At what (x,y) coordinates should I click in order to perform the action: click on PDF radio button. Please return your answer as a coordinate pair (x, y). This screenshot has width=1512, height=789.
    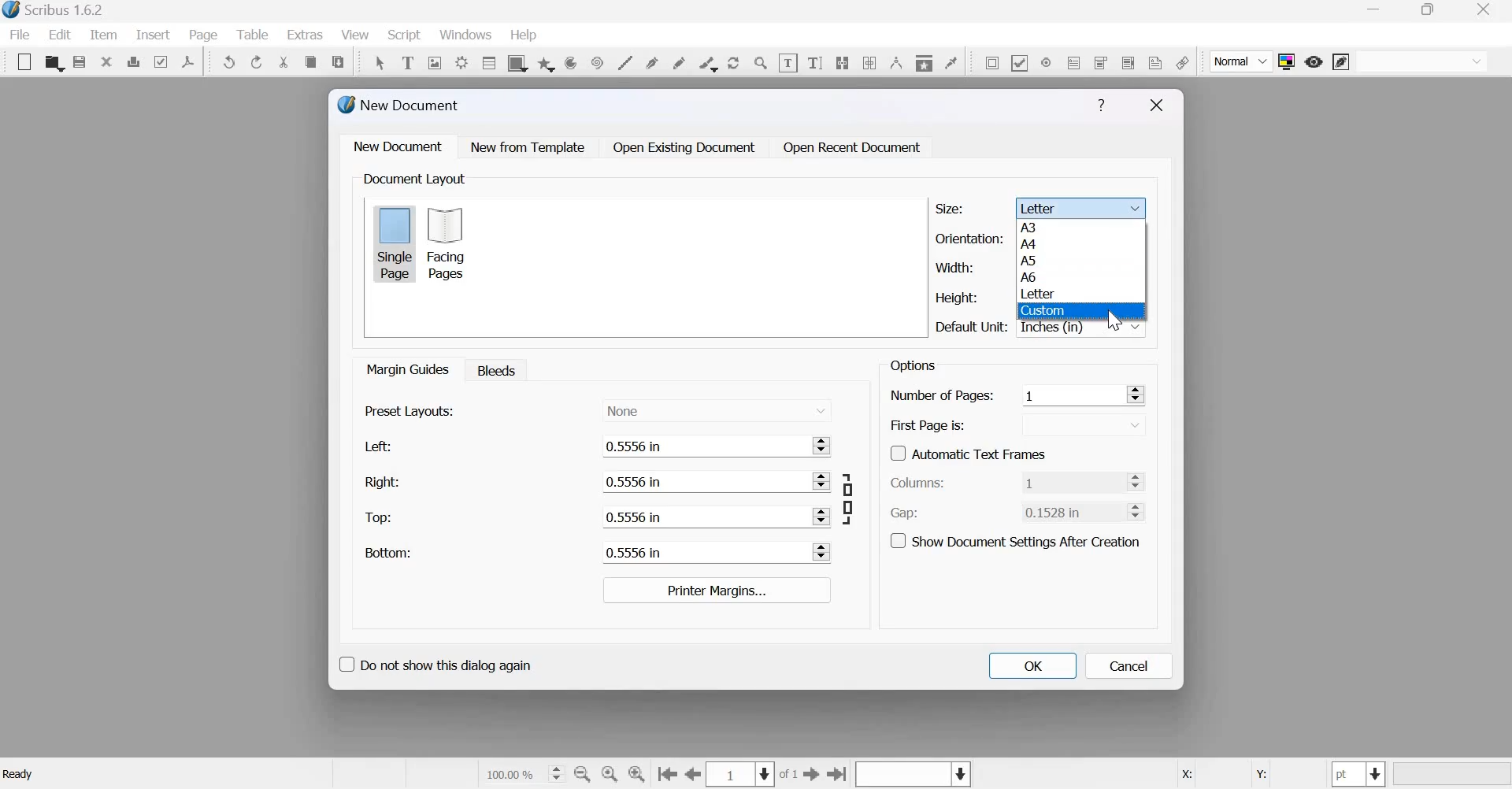
    Looking at the image, I should click on (1045, 61).